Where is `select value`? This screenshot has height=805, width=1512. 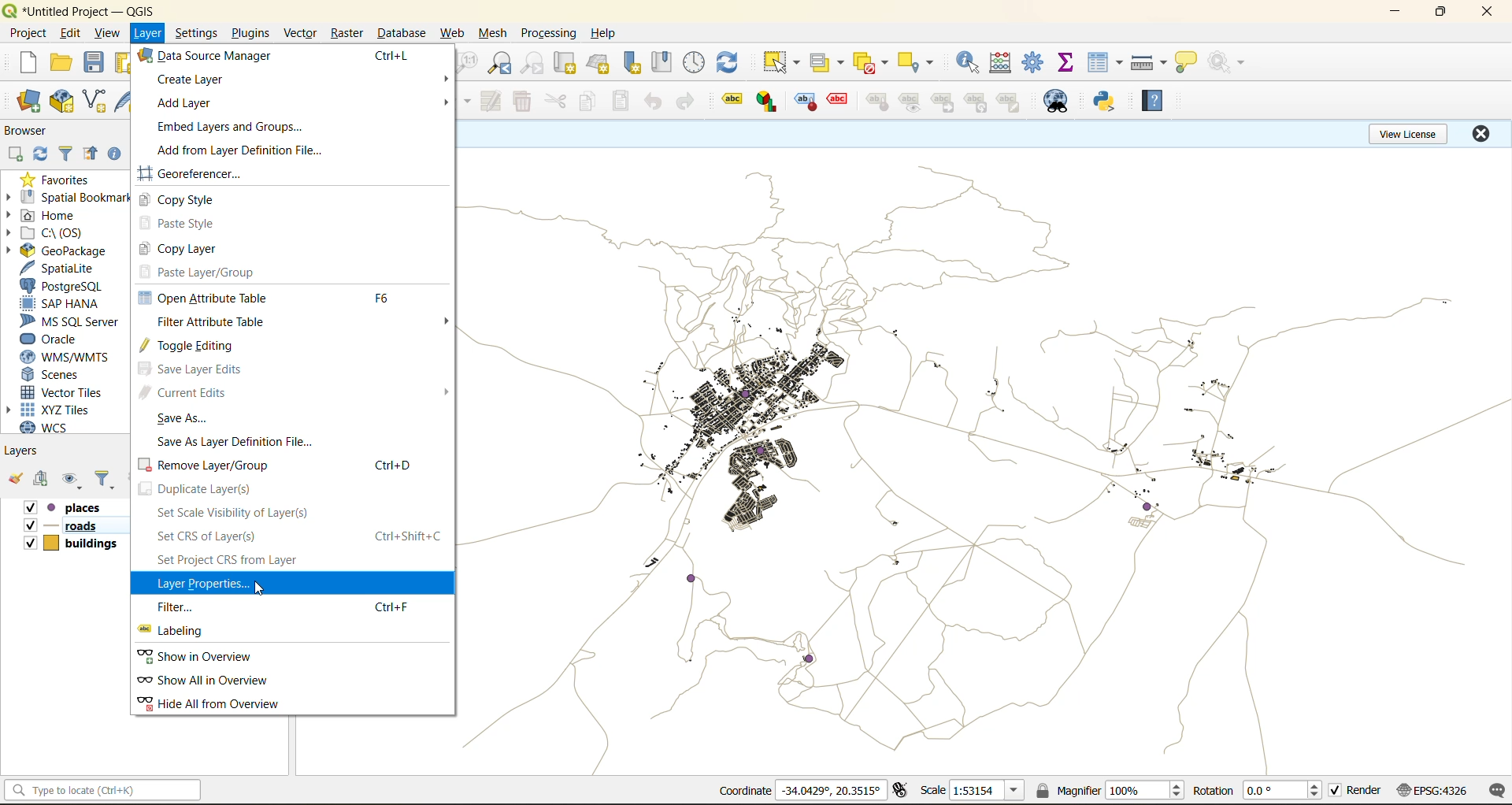
select value is located at coordinates (828, 64).